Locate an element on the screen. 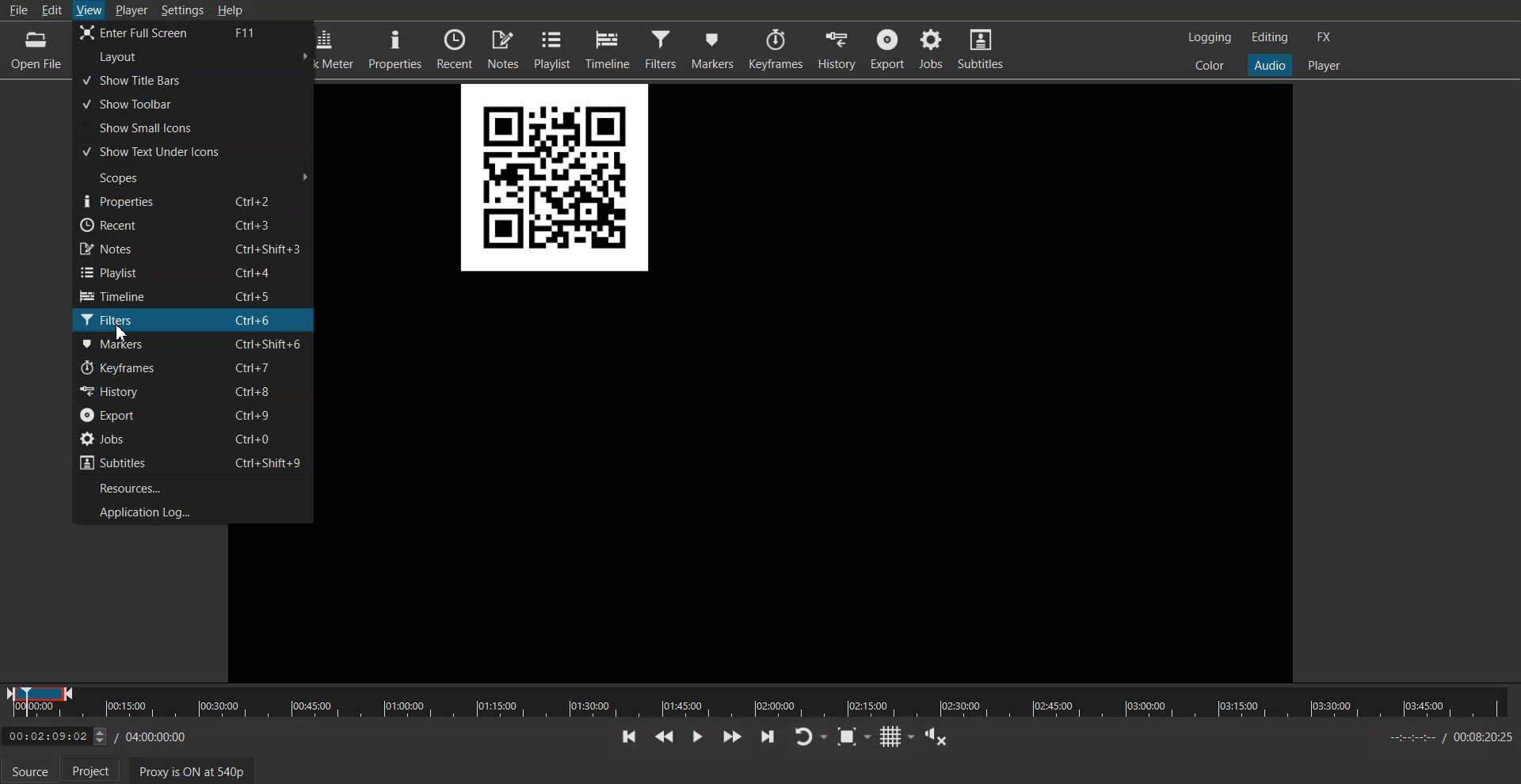 The image size is (1521, 784). Show Toolbar is located at coordinates (192, 103).